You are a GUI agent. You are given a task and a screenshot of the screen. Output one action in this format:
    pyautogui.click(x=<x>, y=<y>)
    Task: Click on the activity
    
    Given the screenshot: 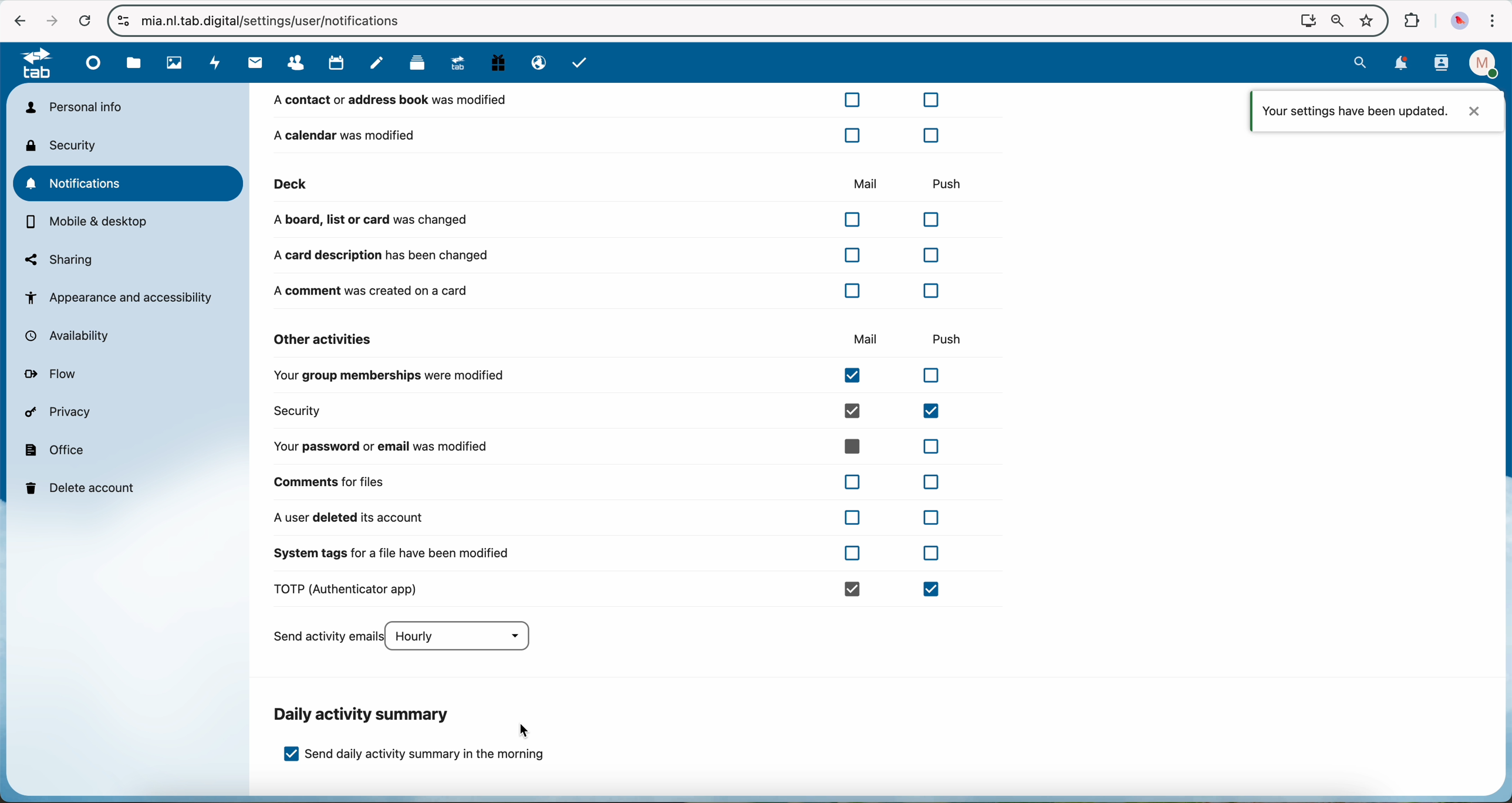 What is the action you would take?
    pyautogui.click(x=214, y=63)
    